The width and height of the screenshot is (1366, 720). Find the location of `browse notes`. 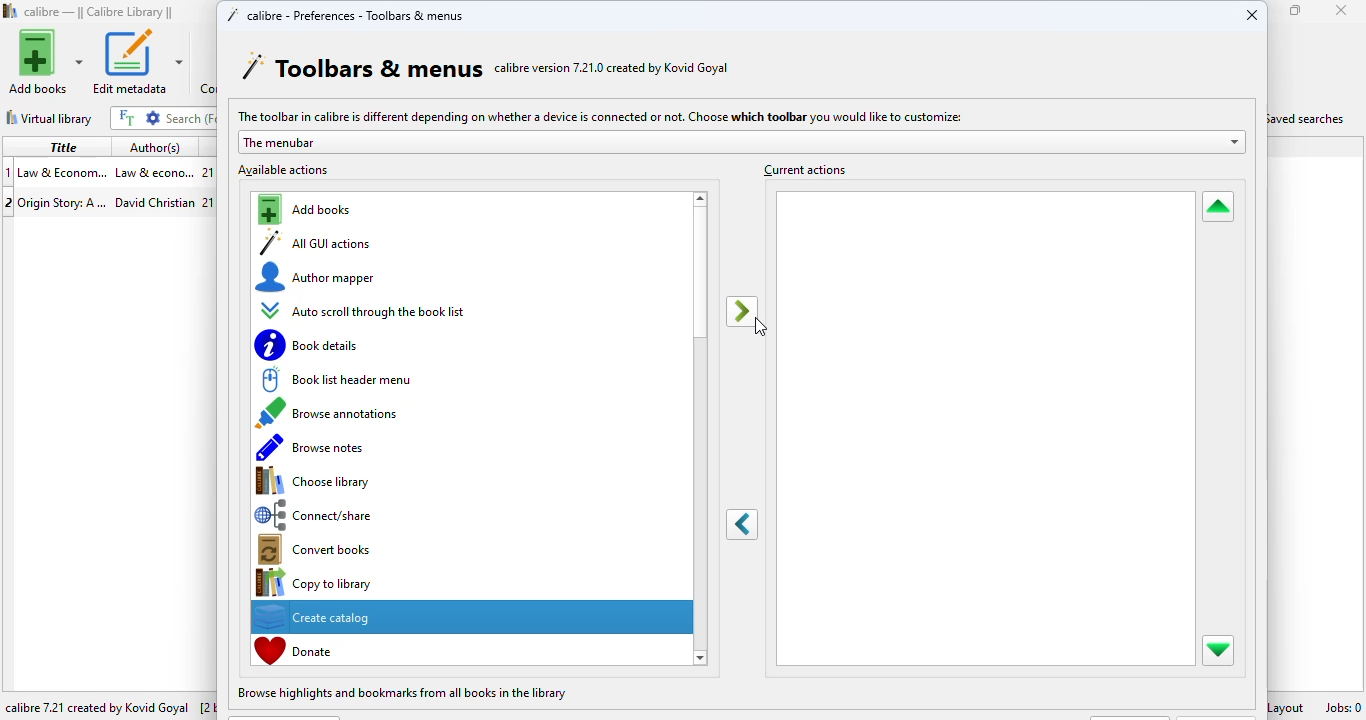

browse notes is located at coordinates (311, 448).